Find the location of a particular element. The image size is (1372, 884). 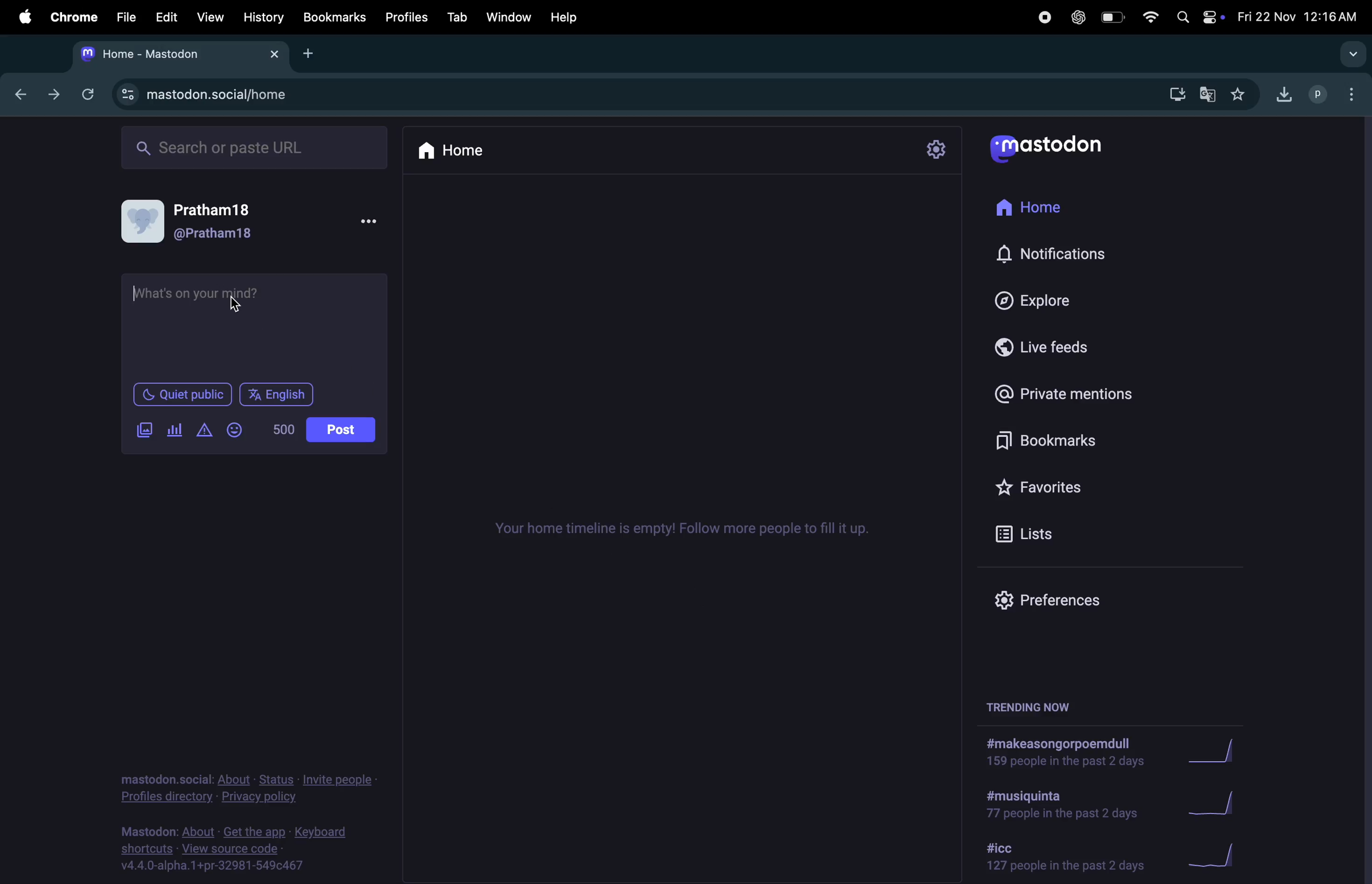

add is located at coordinates (308, 55).